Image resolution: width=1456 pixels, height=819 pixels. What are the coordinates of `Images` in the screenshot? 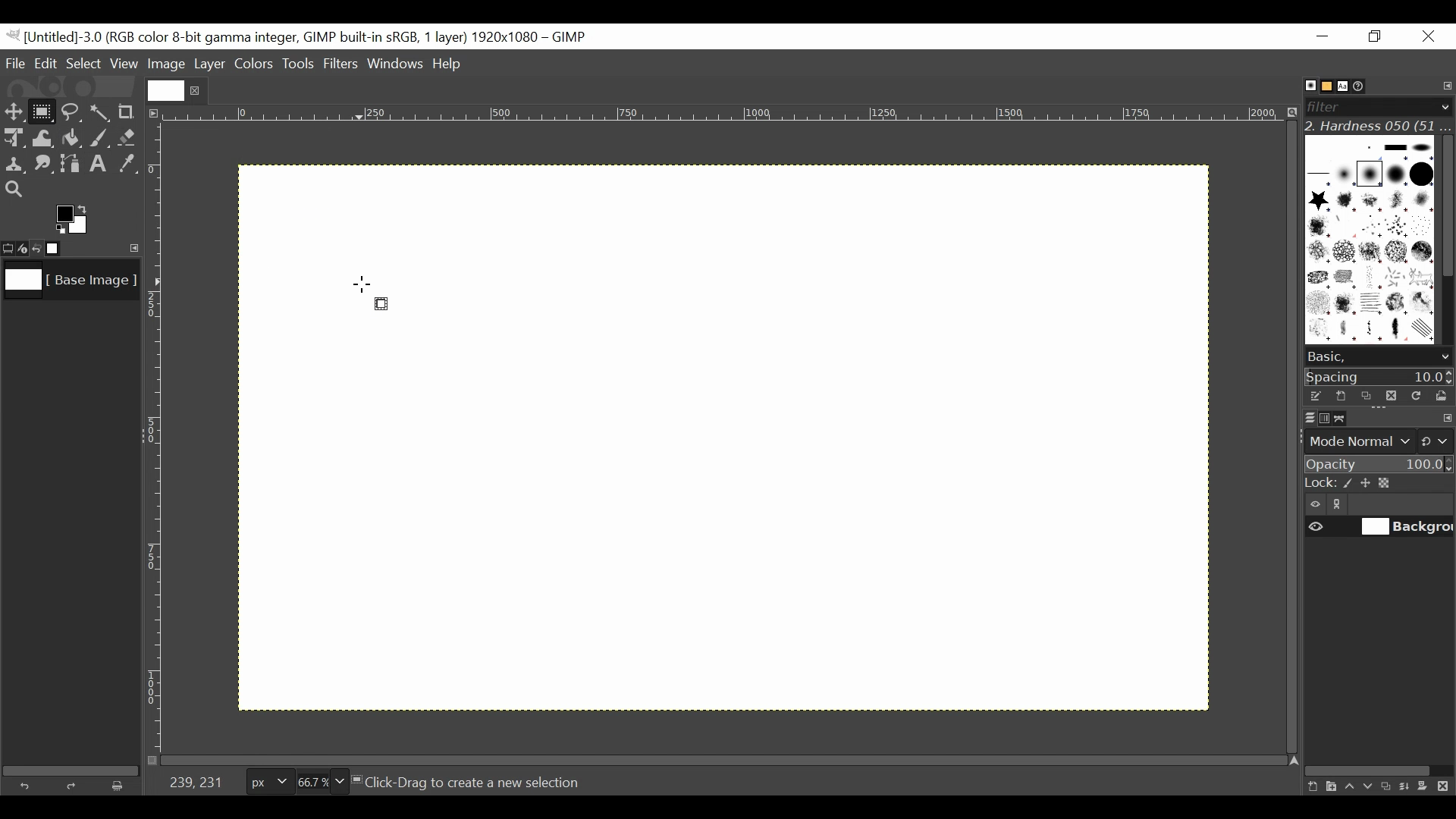 It's located at (63, 249).